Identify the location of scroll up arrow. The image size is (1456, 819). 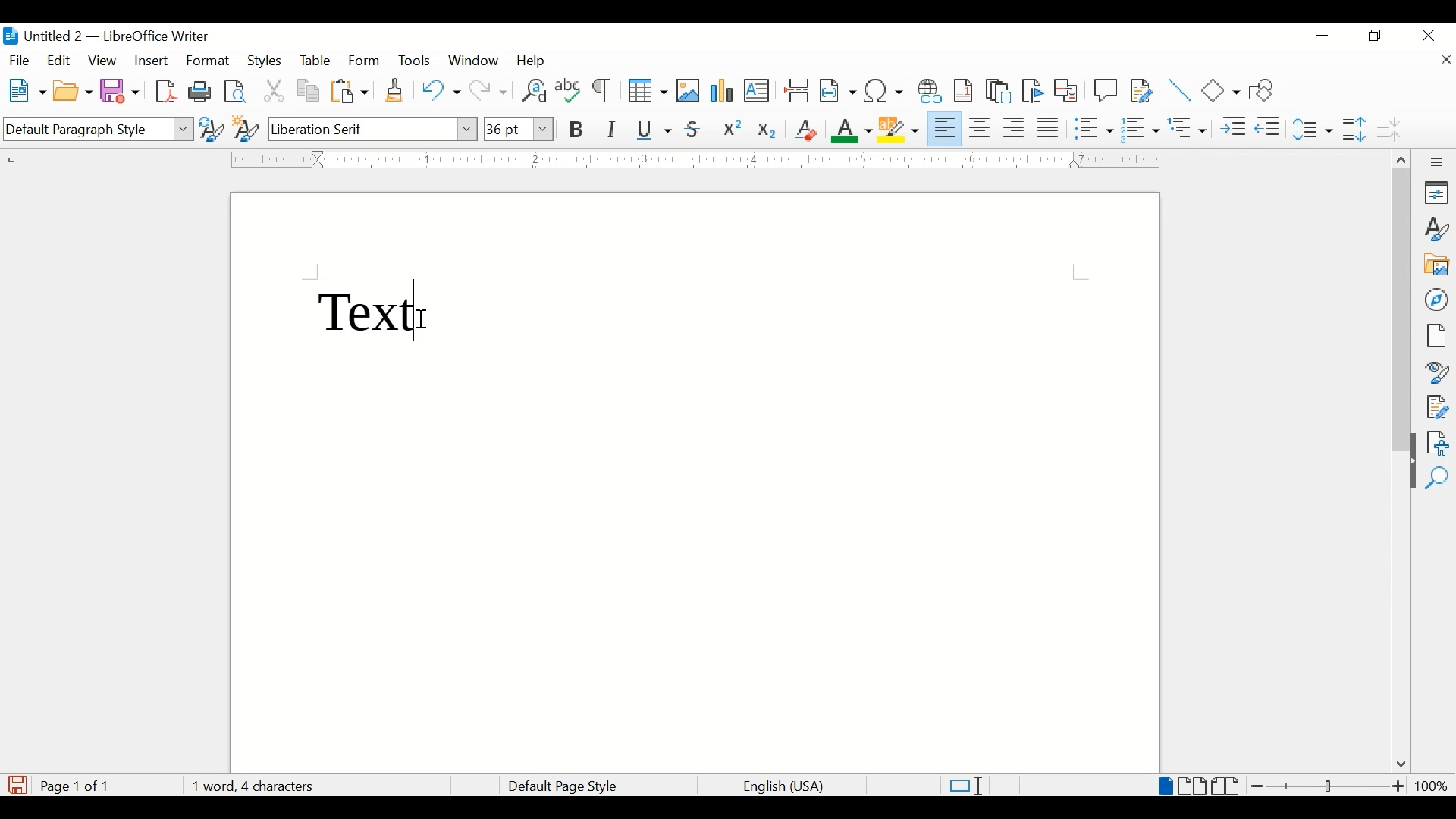
(1399, 157).